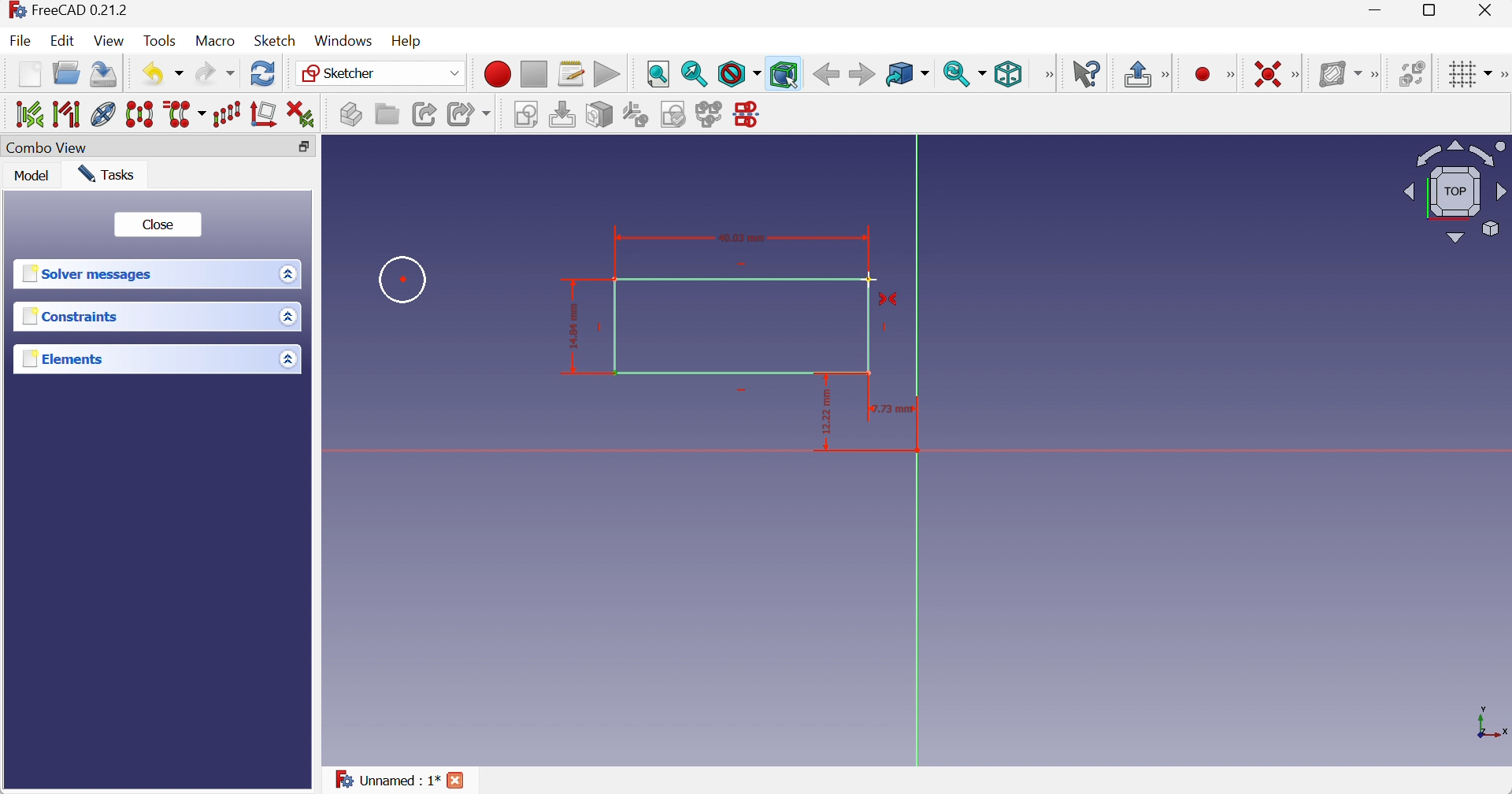 The width and height of the screenshot is (1512, 794). What do you see at coordinates (30, 76) in the screenshot?
I see `New` at bounding box center [30, 76].